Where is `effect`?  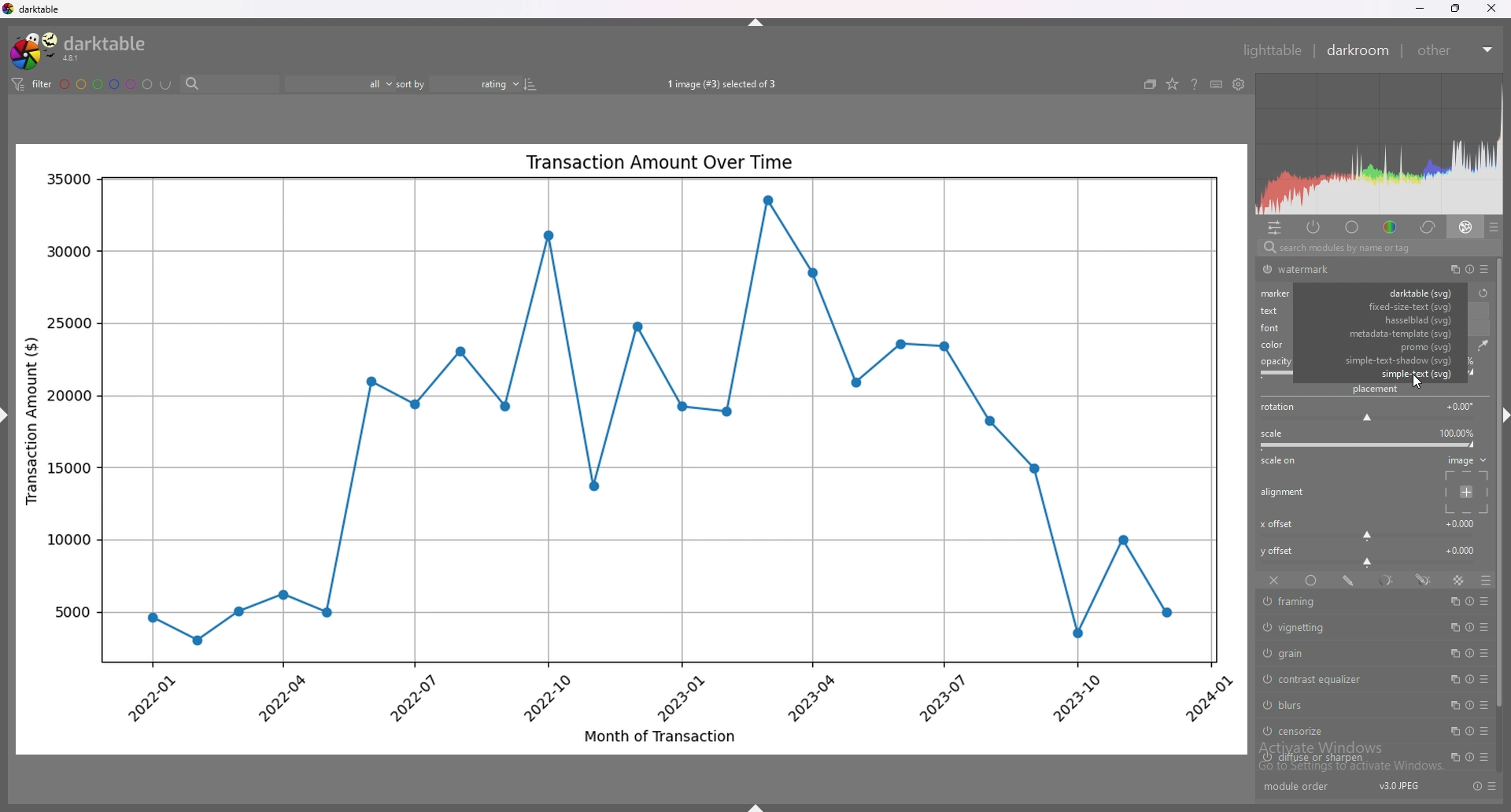
effect is located at coordinates (1466, 227).